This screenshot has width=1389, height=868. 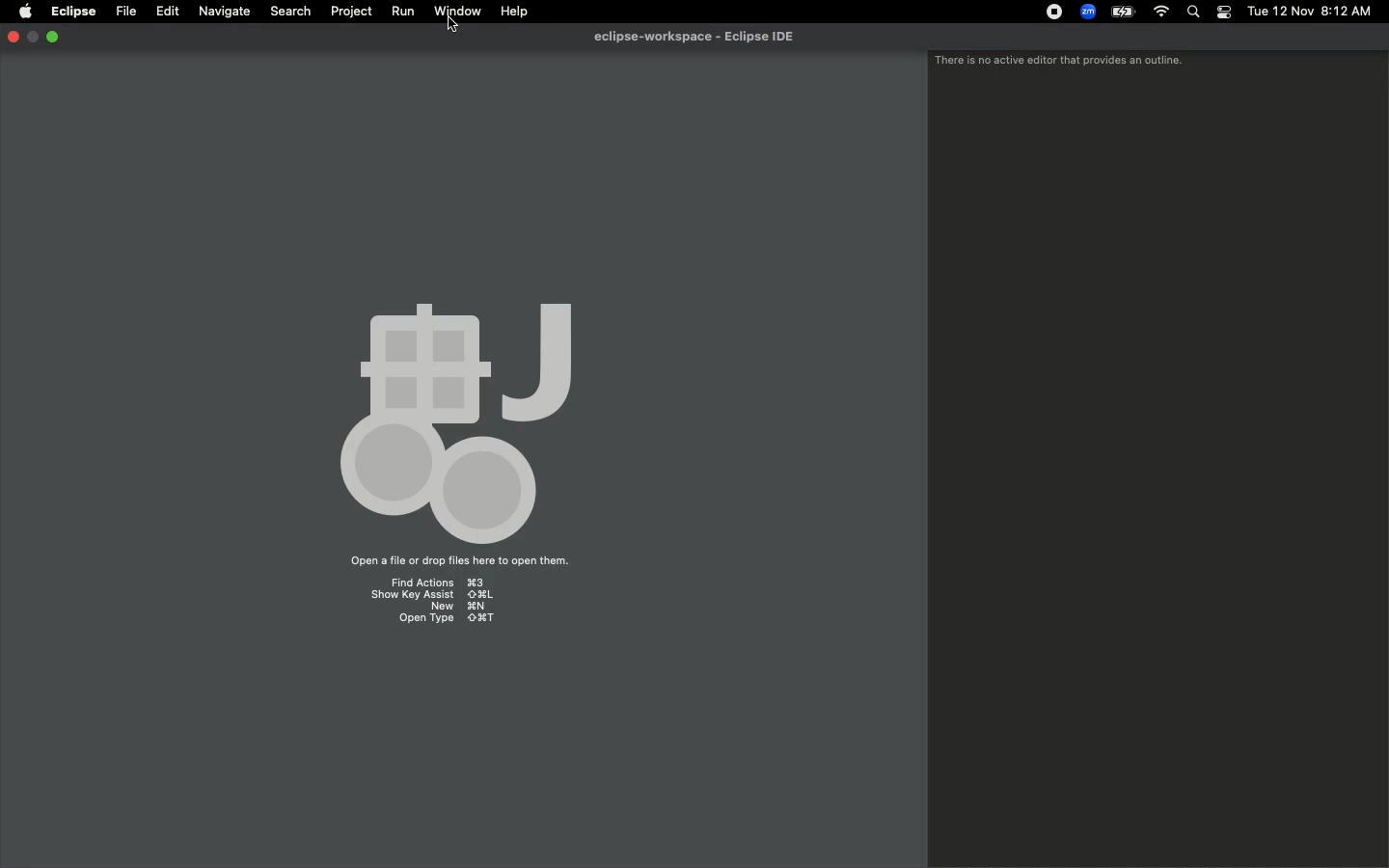 What do you see at coordinates (435, 581) in the screenshot?
I see `Find actions` at bounding box center [435, 581].